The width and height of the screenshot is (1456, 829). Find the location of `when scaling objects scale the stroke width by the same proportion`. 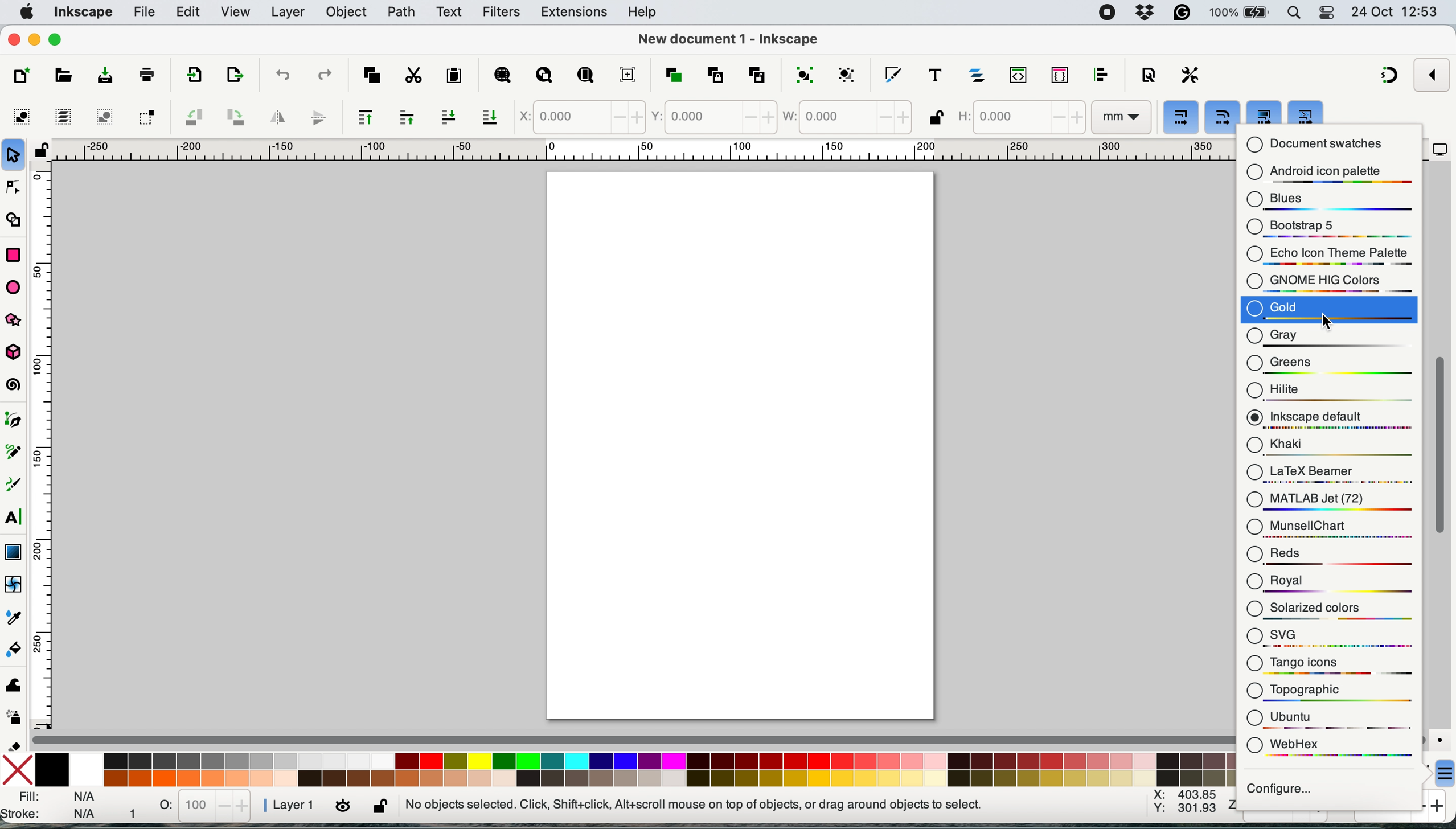

when scaling objects scale the stroke width by the same proportion is located at coordinates (1180, 117).